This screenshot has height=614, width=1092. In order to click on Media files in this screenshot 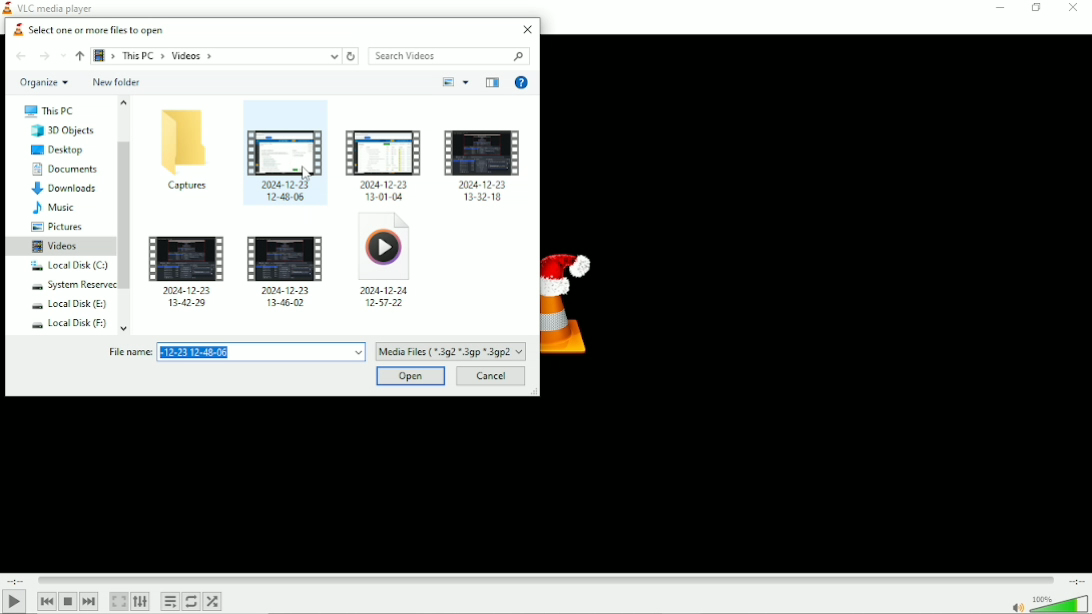, I will do `click(451, 352)`.